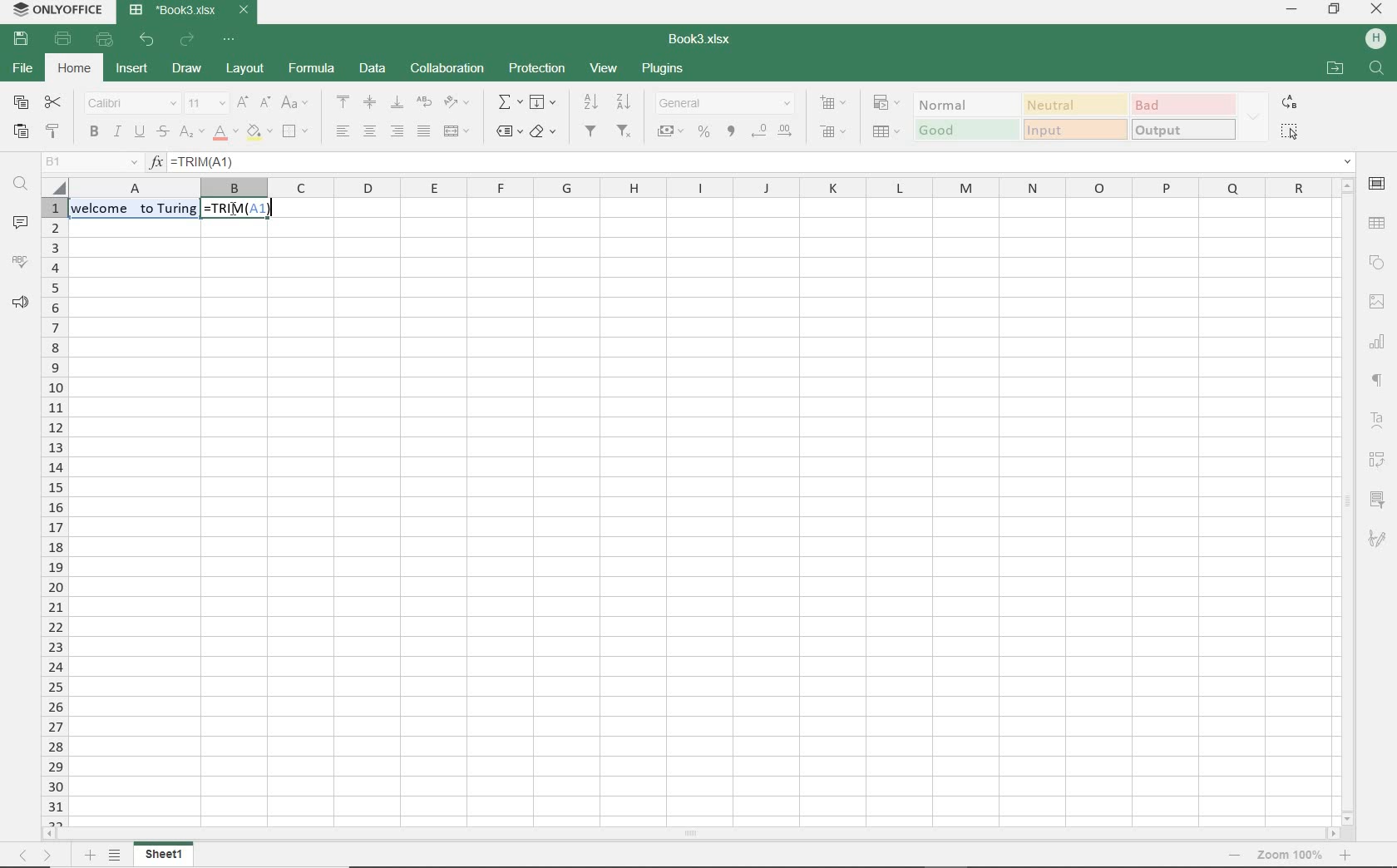 The height and width of the screenshot is (868, 1397). Describe the element at coordinates (1075, 131) in the screenshot. I see `input` at that location.